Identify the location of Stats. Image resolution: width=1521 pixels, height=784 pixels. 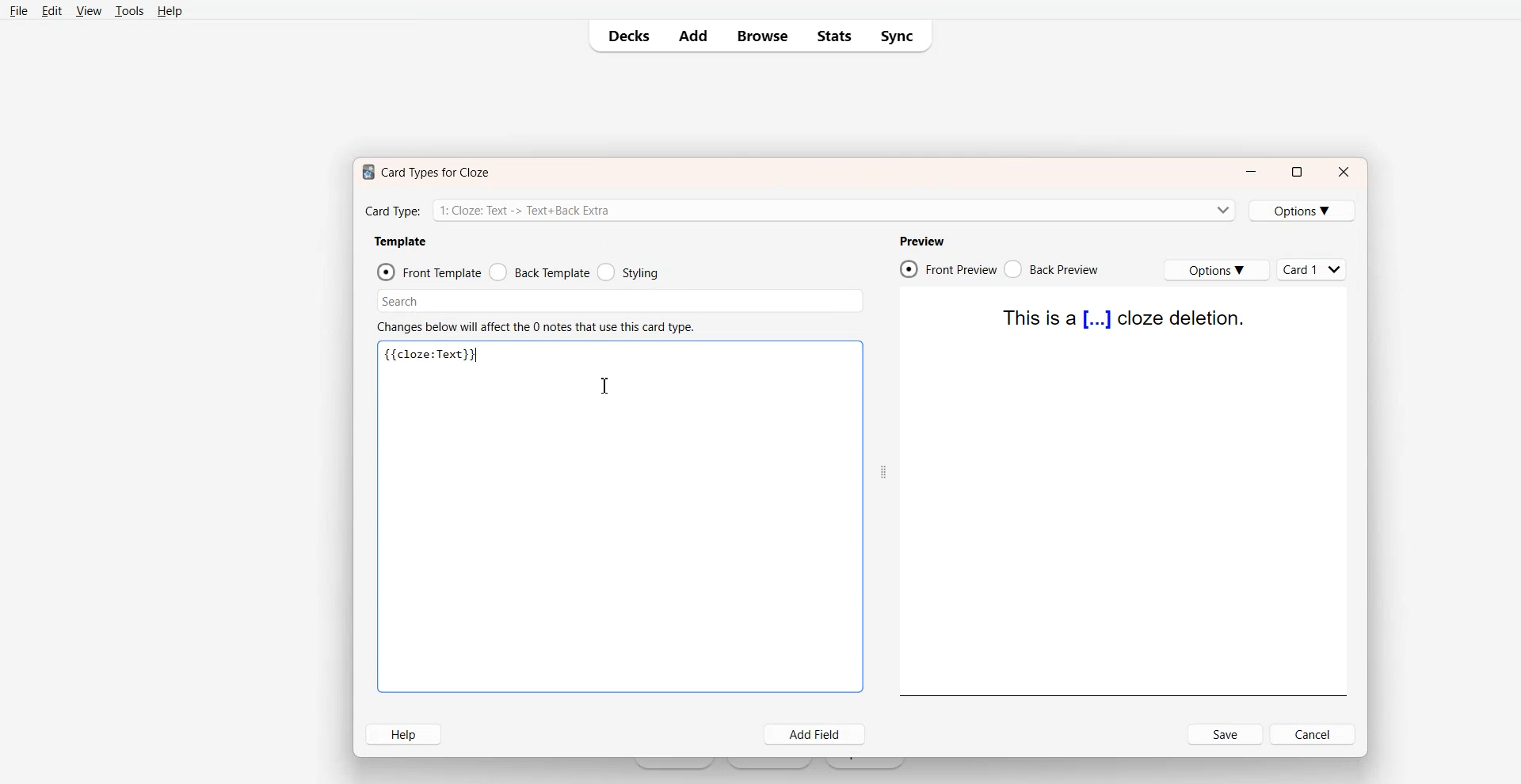
(833, 36).